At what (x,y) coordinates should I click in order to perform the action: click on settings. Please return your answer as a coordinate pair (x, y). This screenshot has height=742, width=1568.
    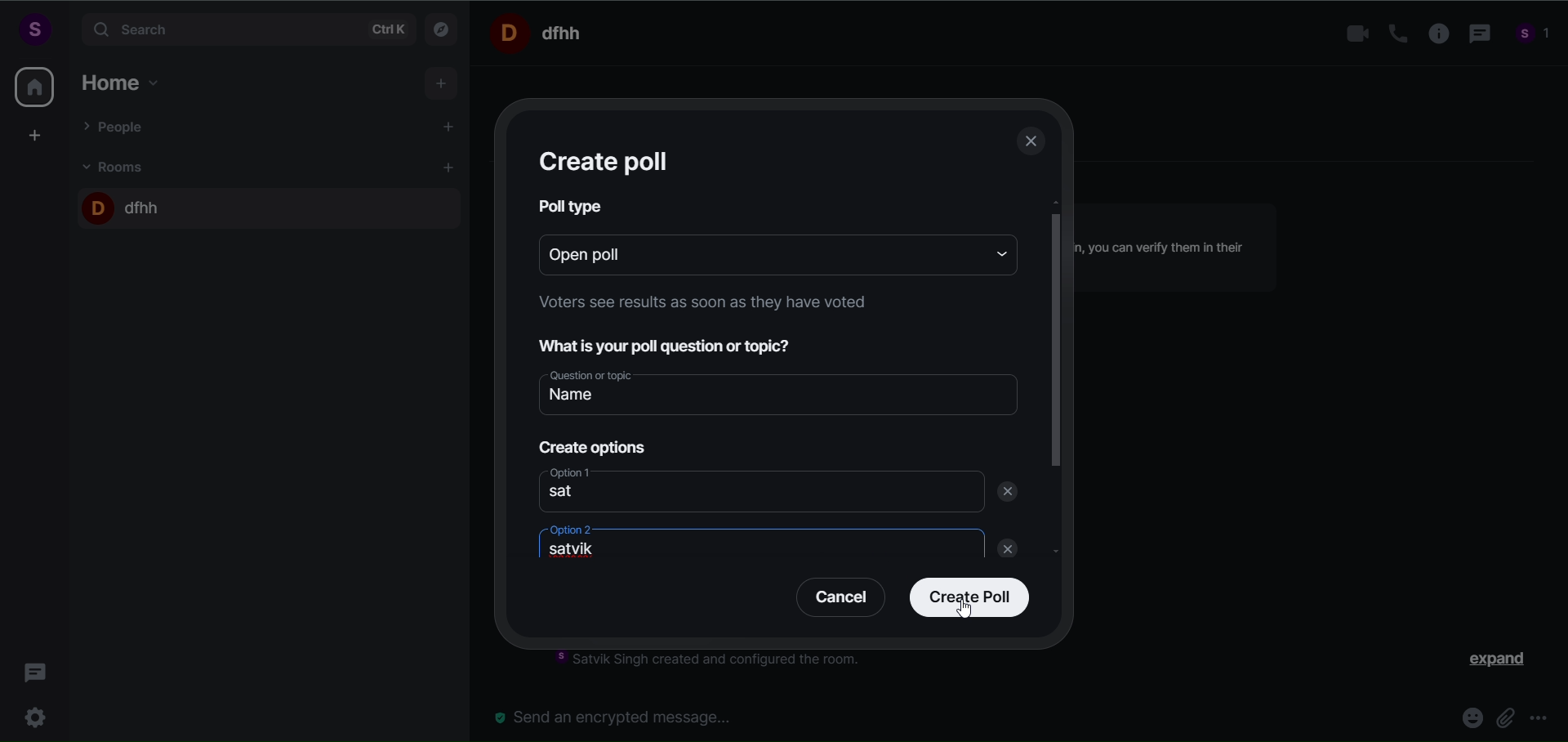
    Looking at the image, I should click on (39, 715).